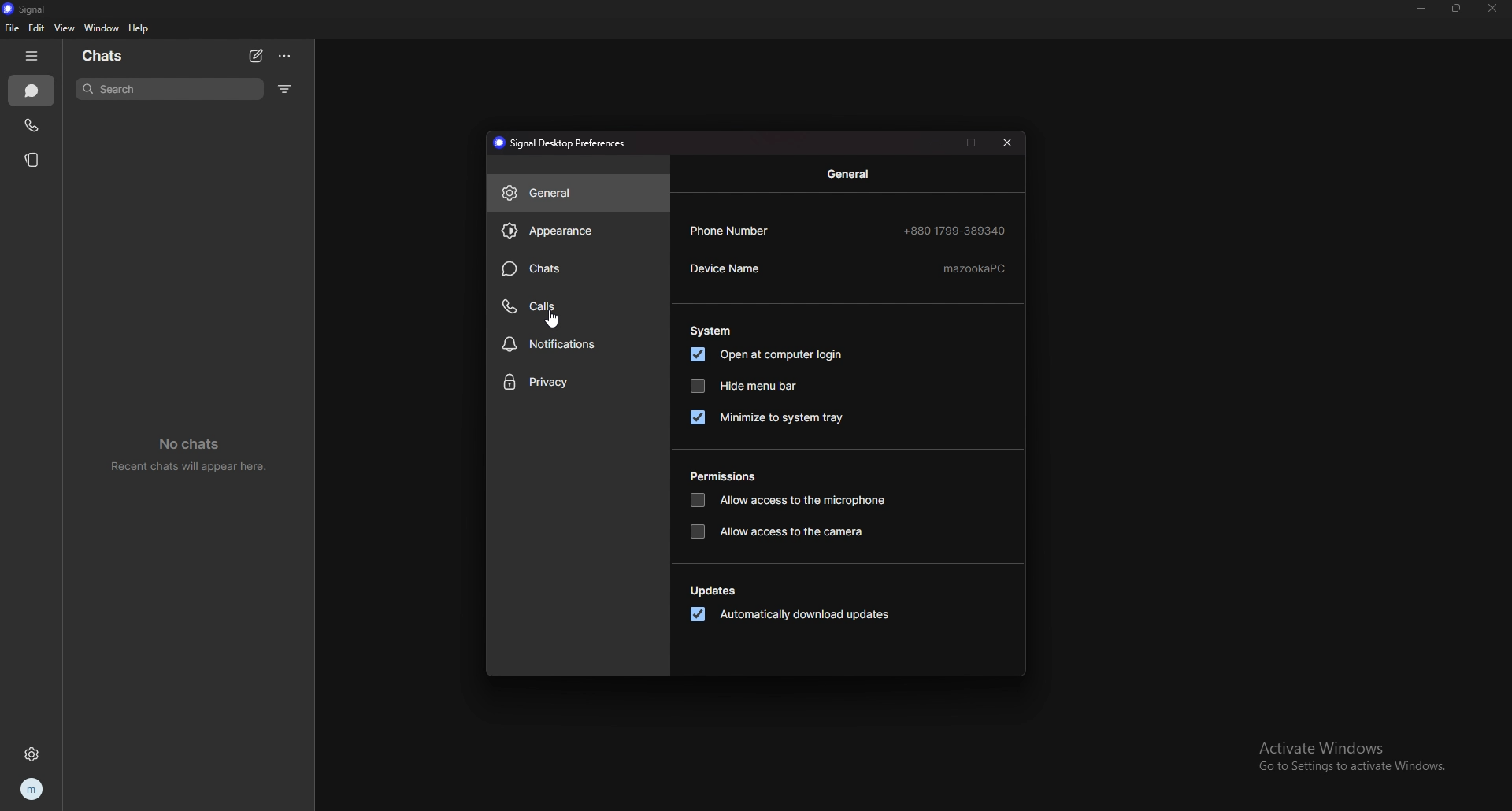 Image resolution: width=1512 pixels, height=811 pixels. What do you see at coordinates (196, 454) in the screenshot?
I see `no chats` at bounding box center [196, 454].